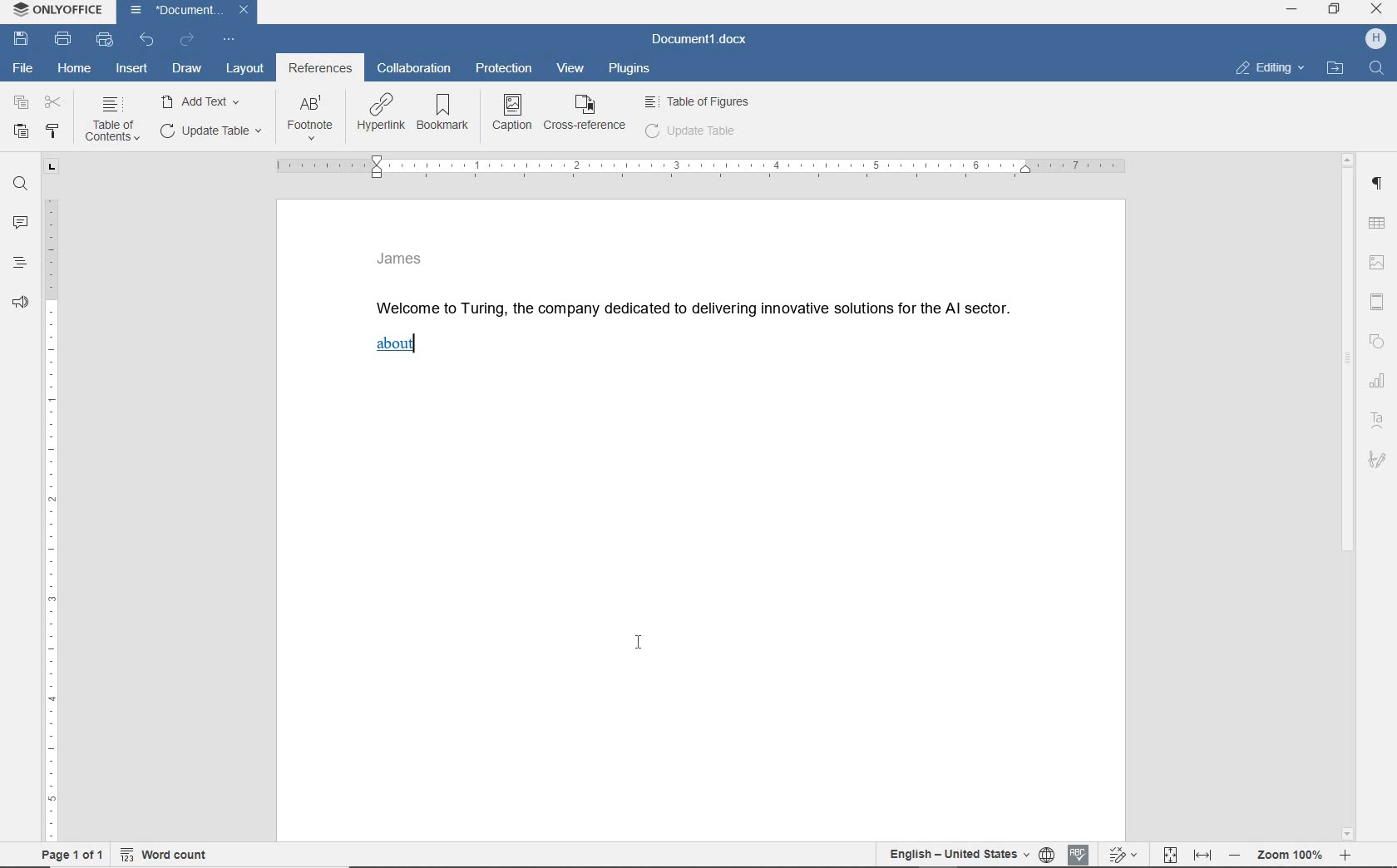 The image size is (1397, 868). I want to click on ruler, so click(50, 501).